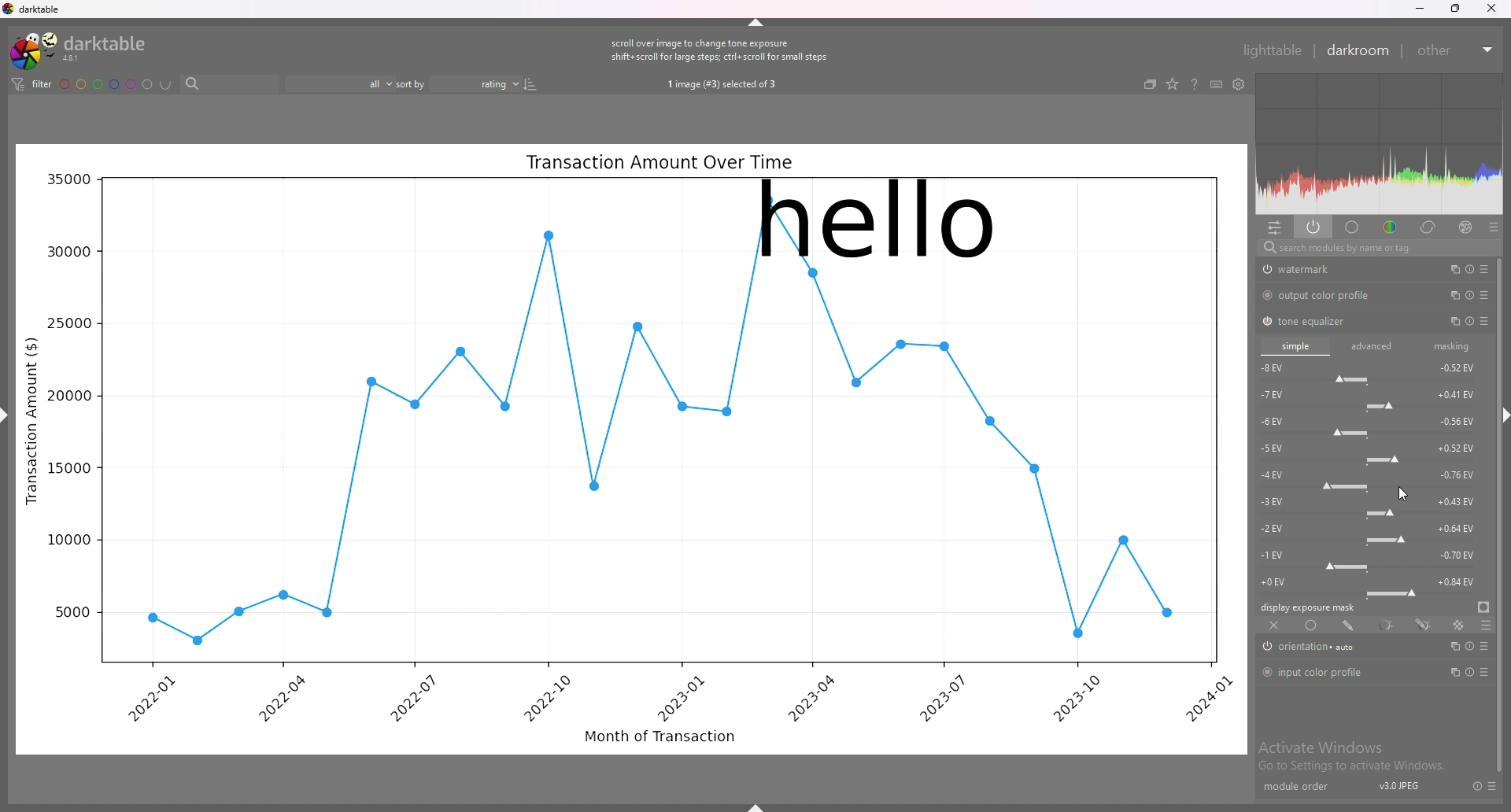  Describe the element at coordinates (940, 697) in the screenshot. I see `2023-07` at that location.